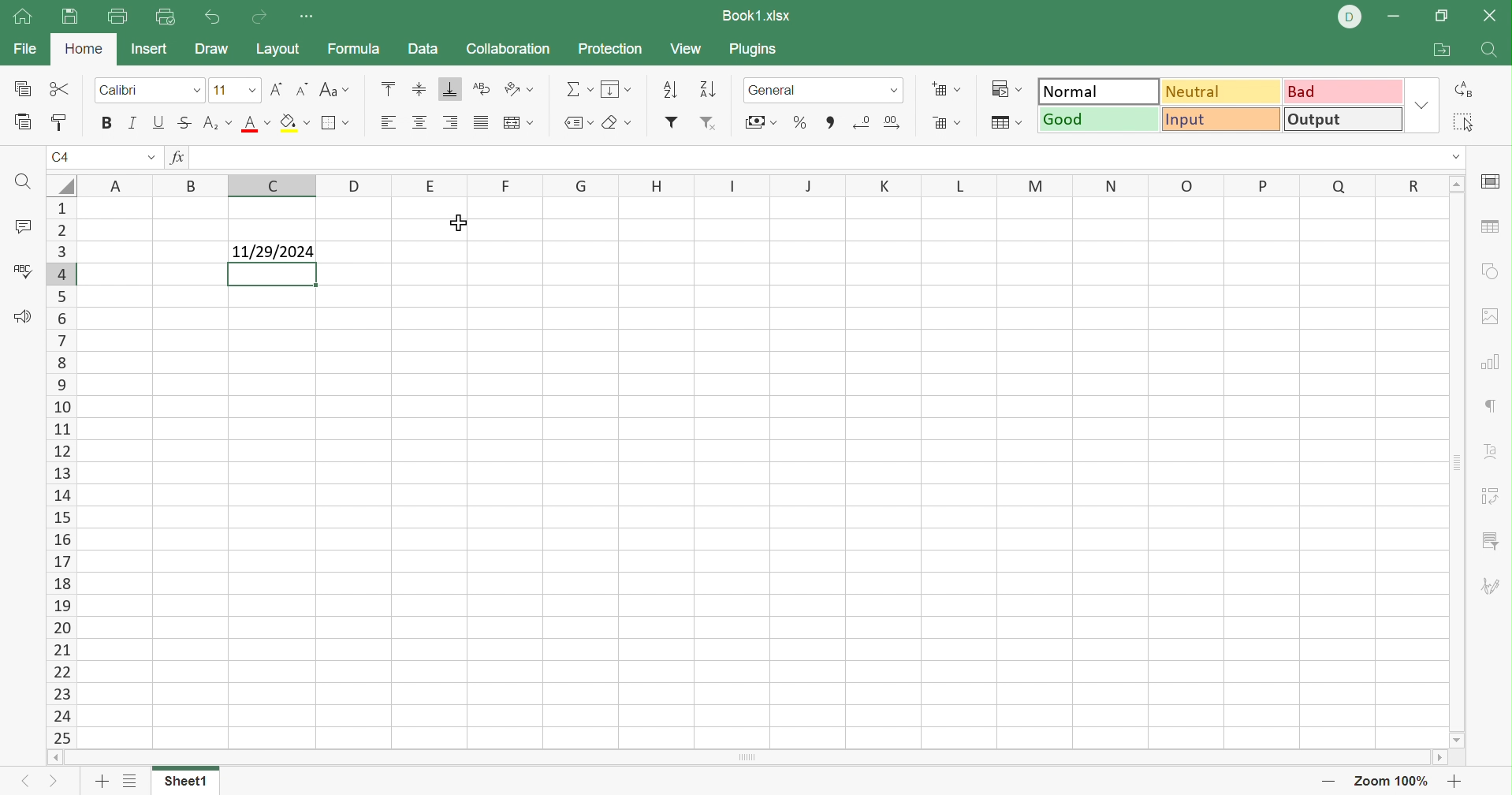  Describe the element at coordinates (1490, 364) in the screenshot. I see `Chart settings` at that location.